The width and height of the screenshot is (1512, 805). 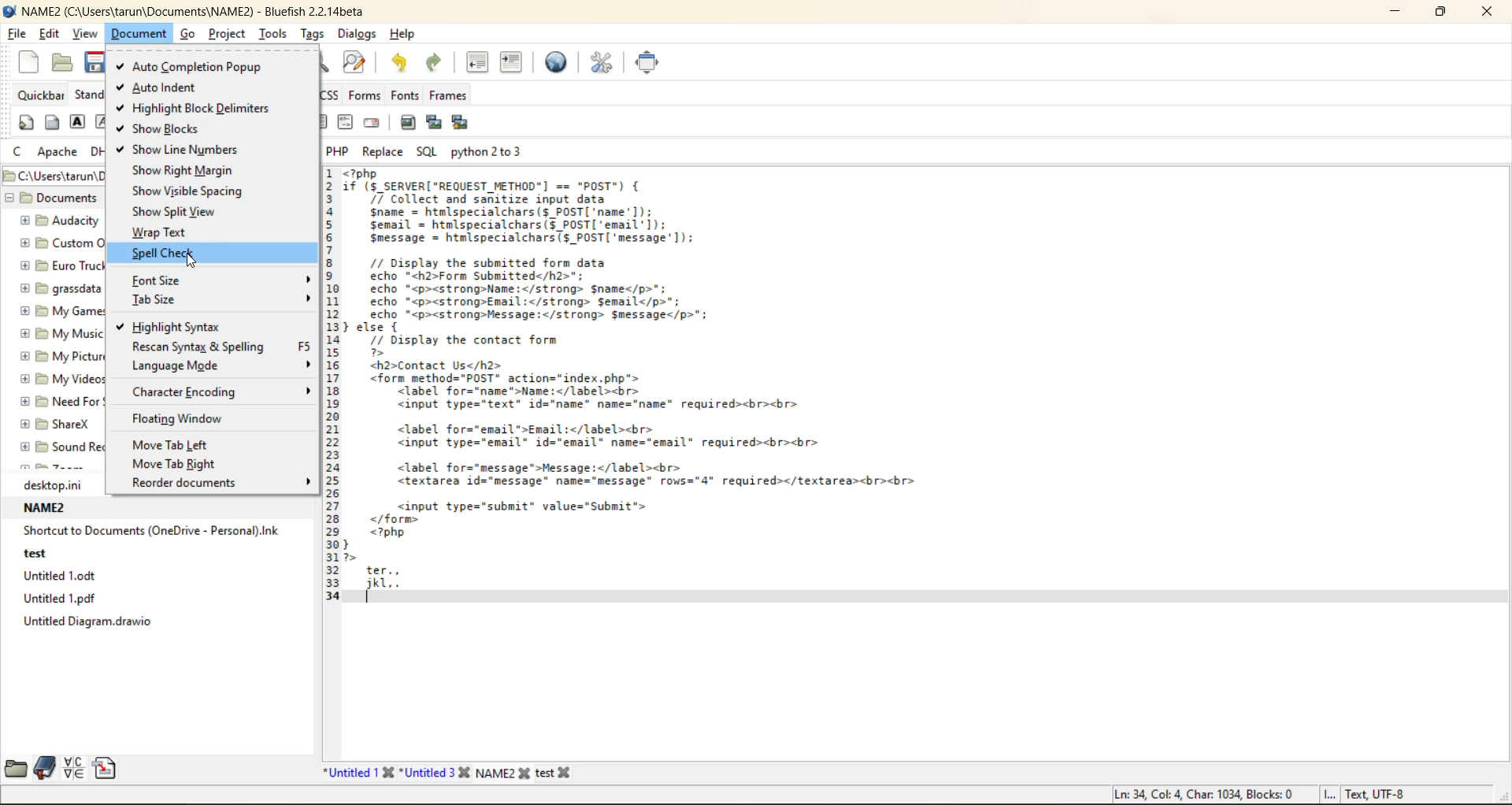 What do you see at coordinates (325, 63) in the screenshot?
I see `find` at bounding box center [325, 63].